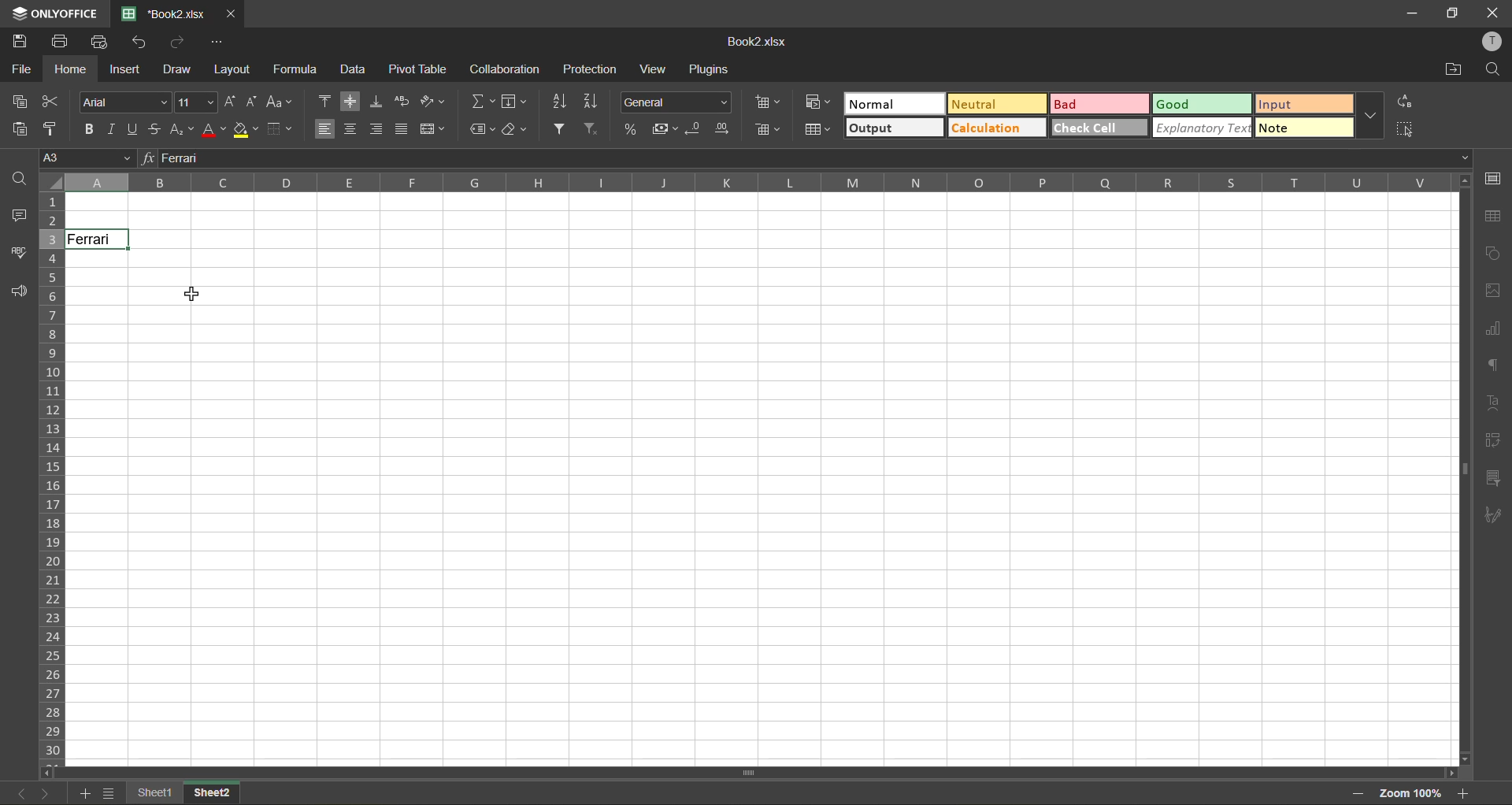 The width and height of the screenshot is (1512, 805). I want to click on collaboration, so click(502, 69).